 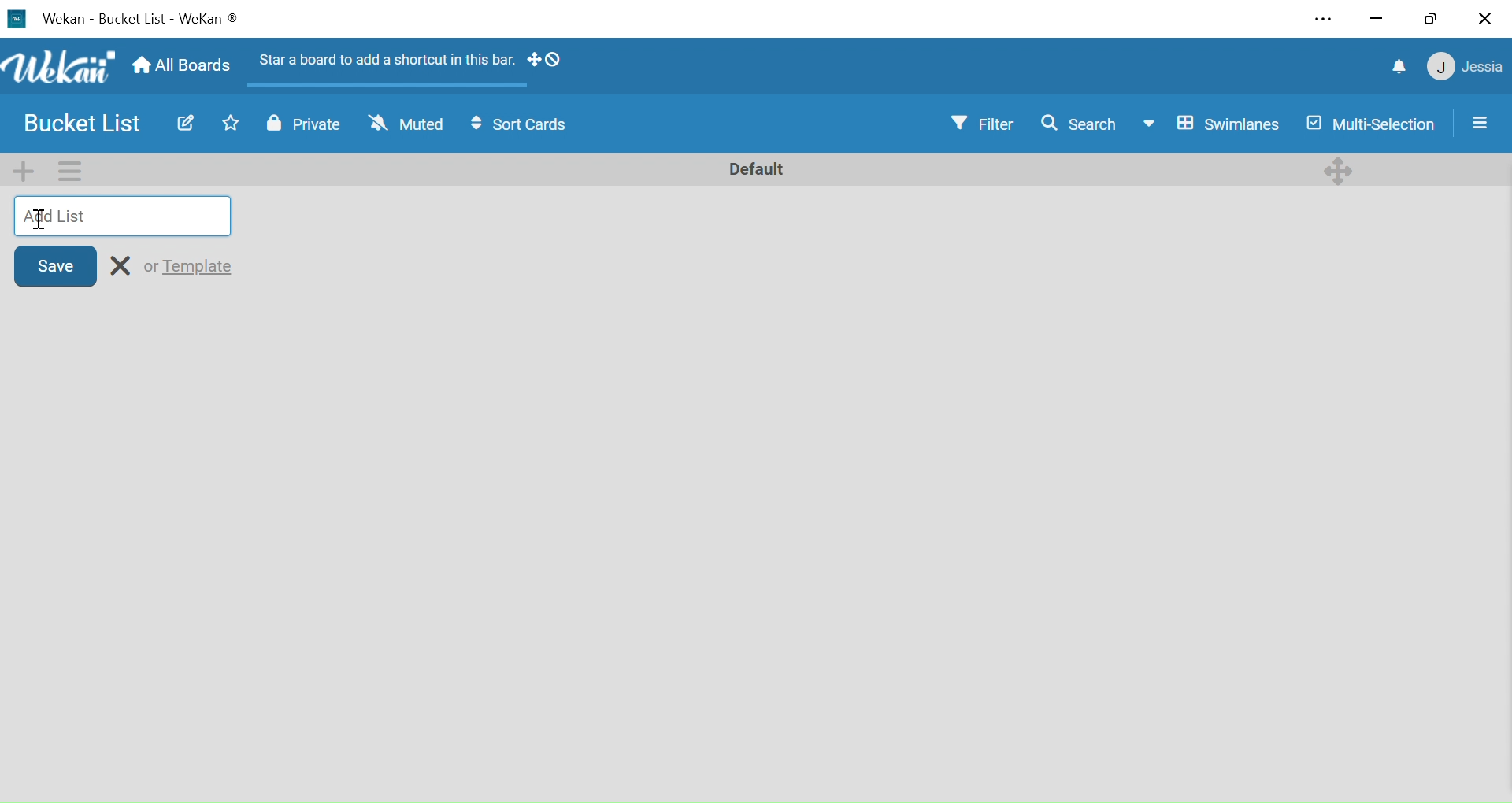 I want to click on (un)mute, so click(x=406, y=127).